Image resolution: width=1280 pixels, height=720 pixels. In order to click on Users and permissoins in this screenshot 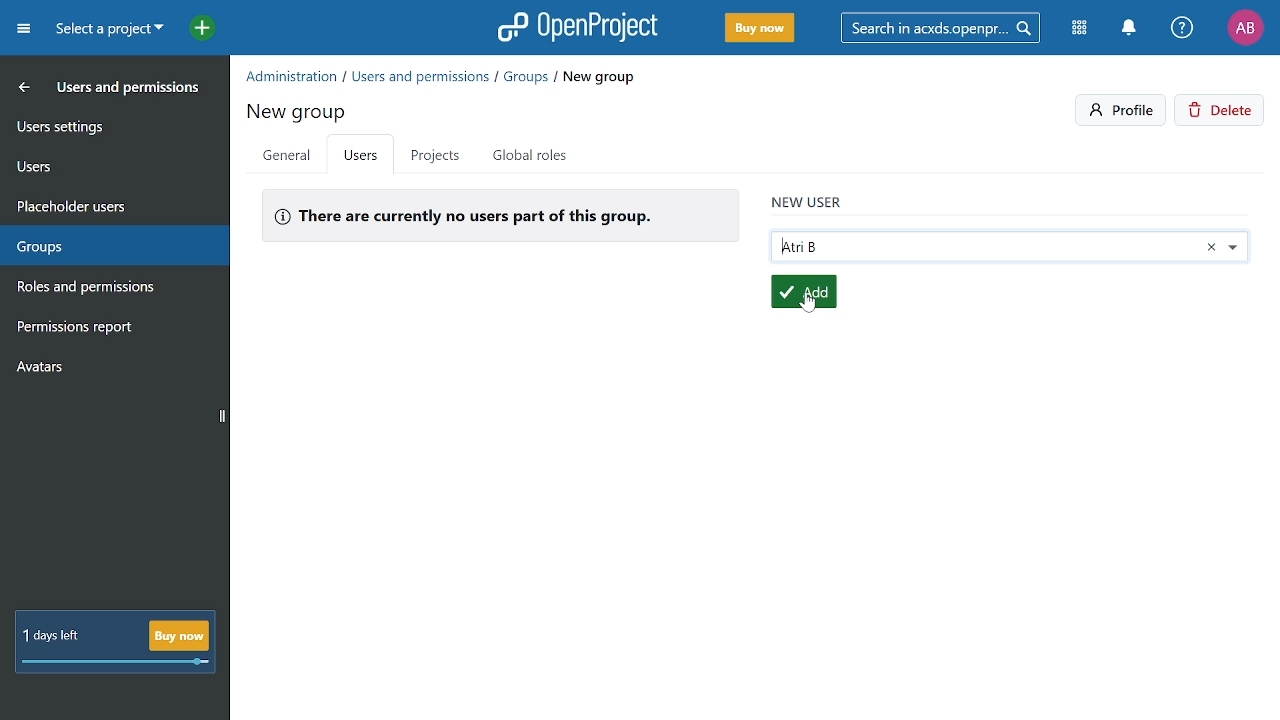, I will do `click(130, 91)`.